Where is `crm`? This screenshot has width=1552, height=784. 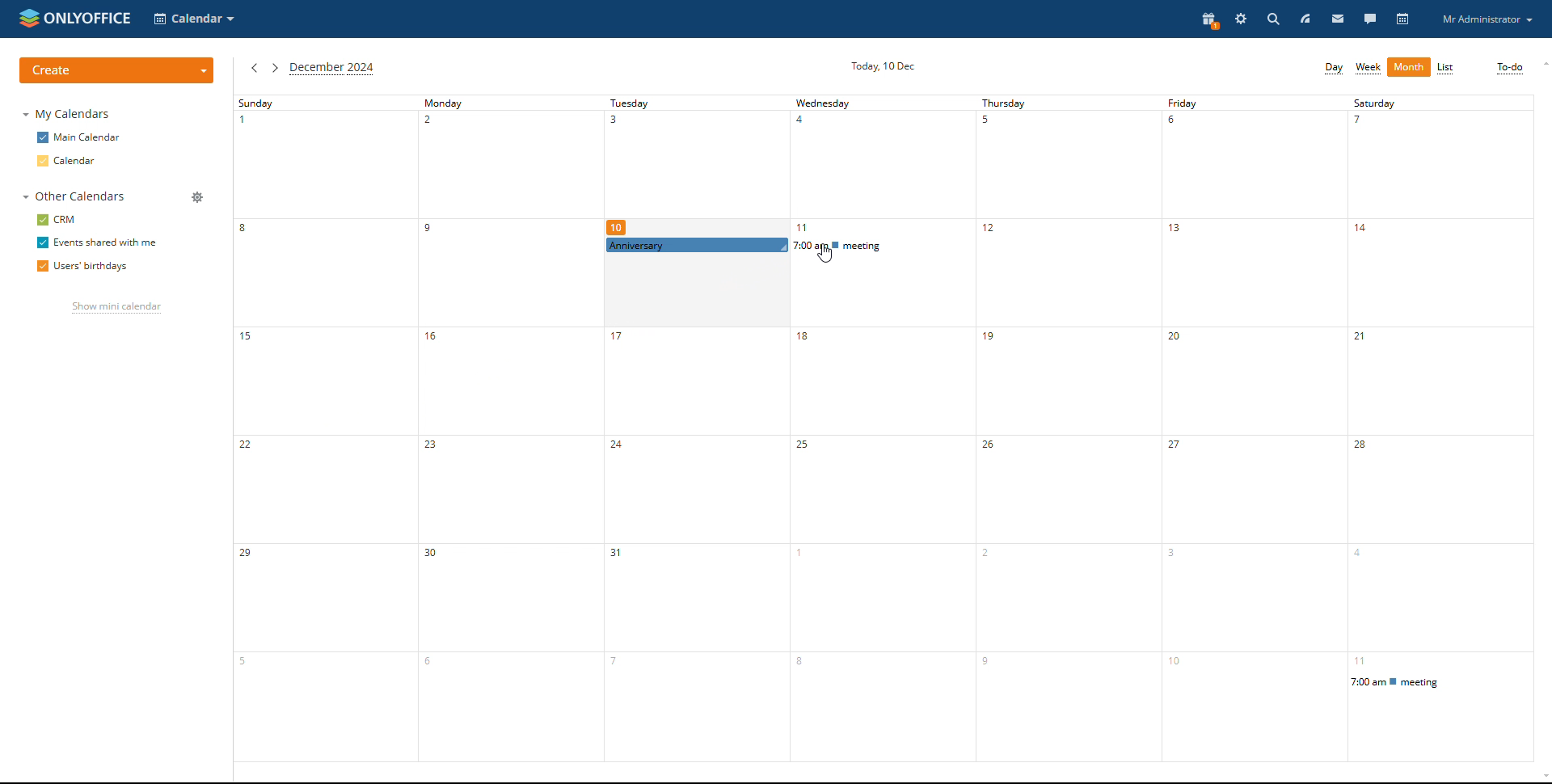 crm is located at coordinates (57, 220).